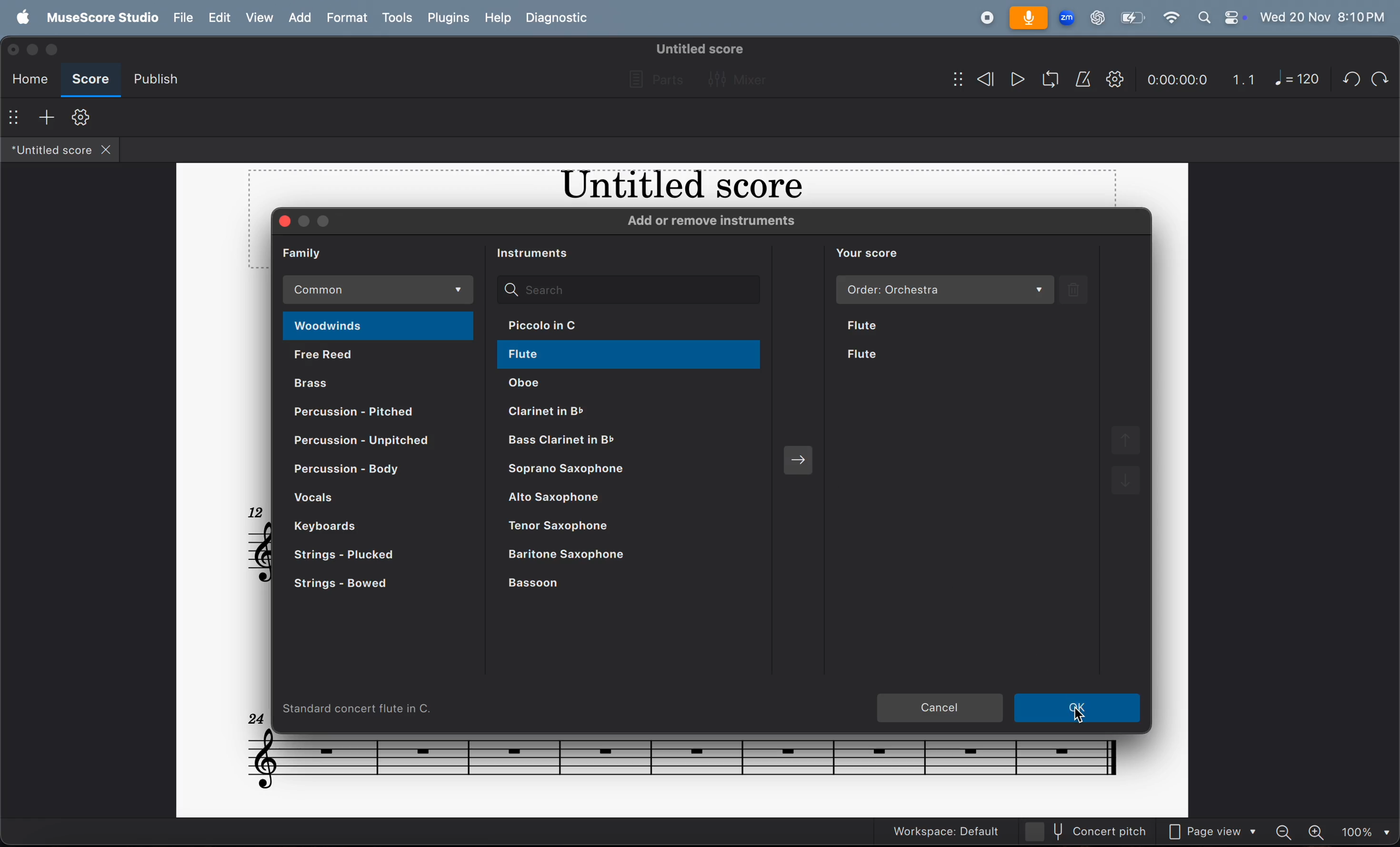 This screenshot has height=847, width=1400. I want to click on tools, so click(398, 18).